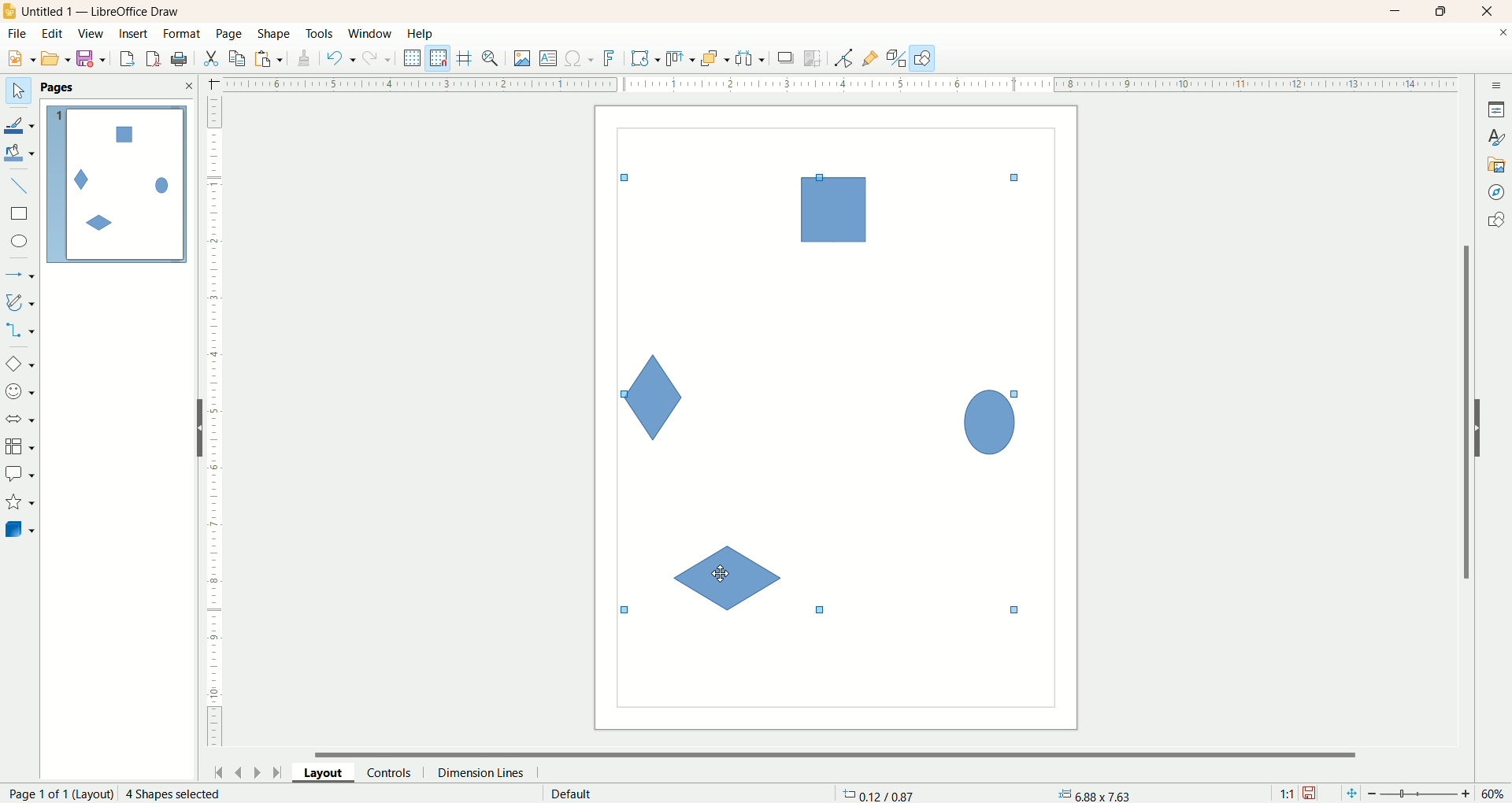 The width and height of the screenshot is (1512, 803). Describe the element at coordinates (280, 771) in the screenshot. I see `last page` at that location.